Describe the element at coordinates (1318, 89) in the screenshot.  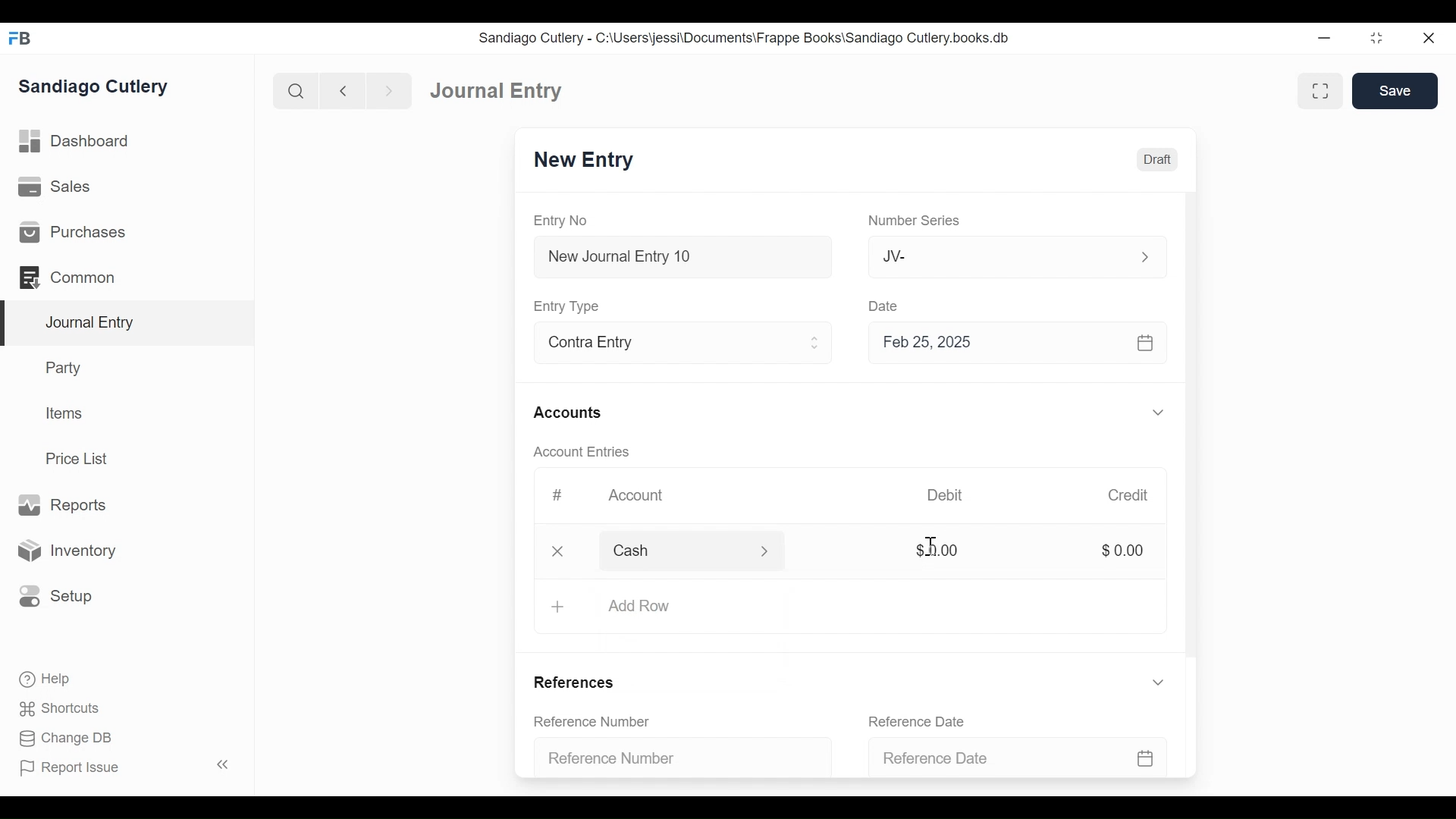
I see `Toggle between form and full width` at that location.